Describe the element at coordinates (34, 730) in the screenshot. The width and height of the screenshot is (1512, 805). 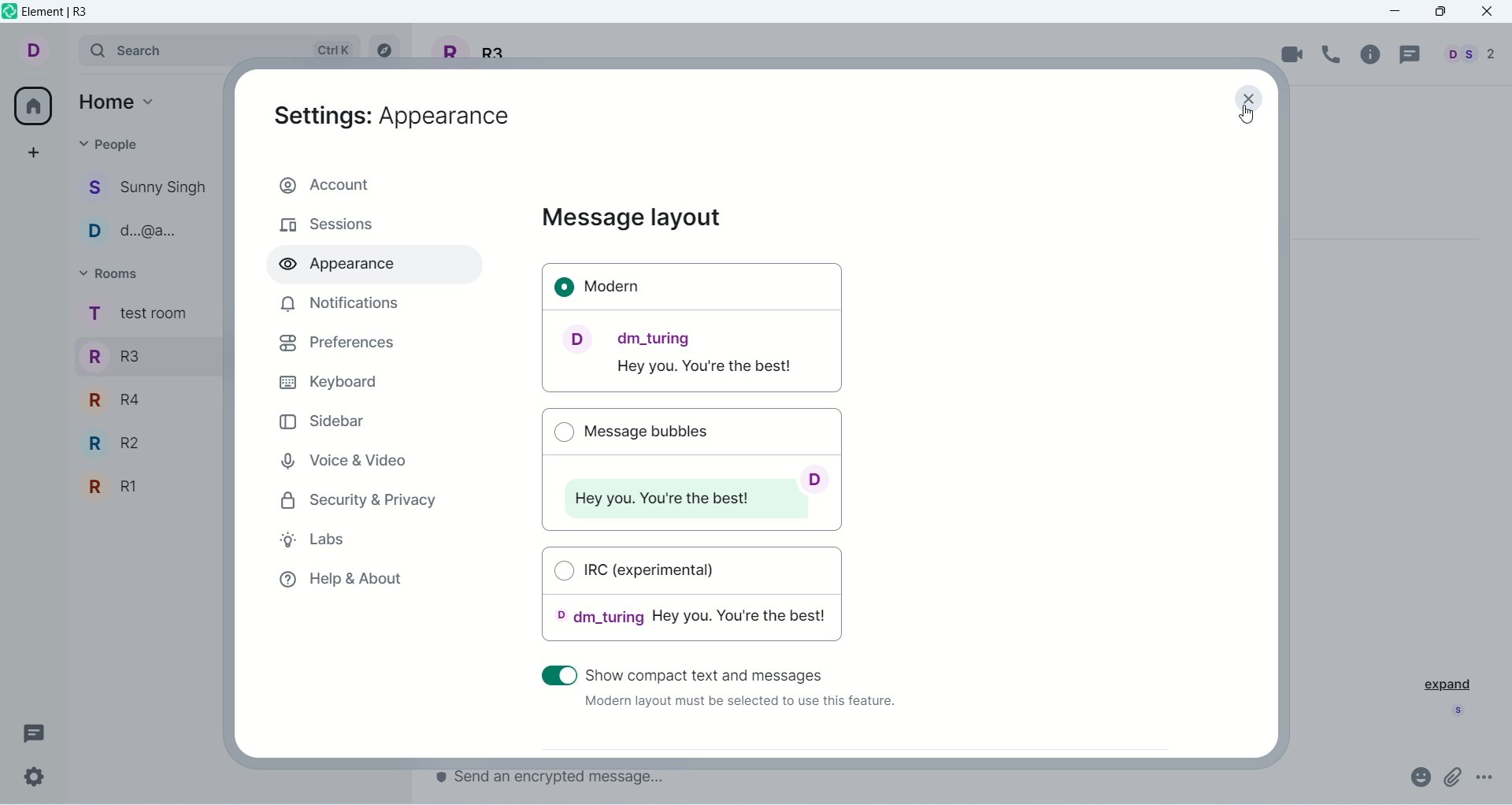
I see `threads` at that location.